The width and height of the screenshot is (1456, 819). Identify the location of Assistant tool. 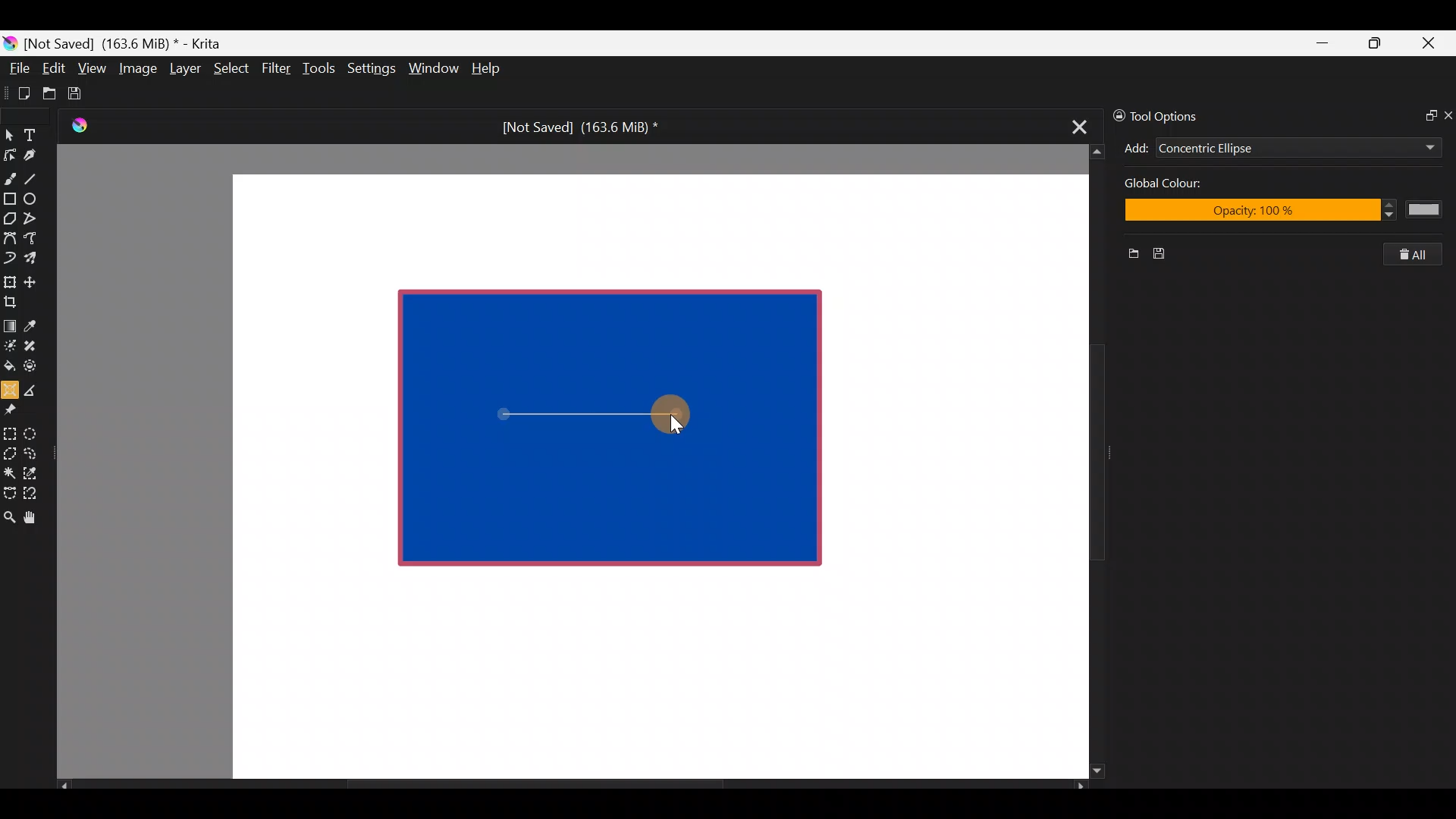
(9, 385).